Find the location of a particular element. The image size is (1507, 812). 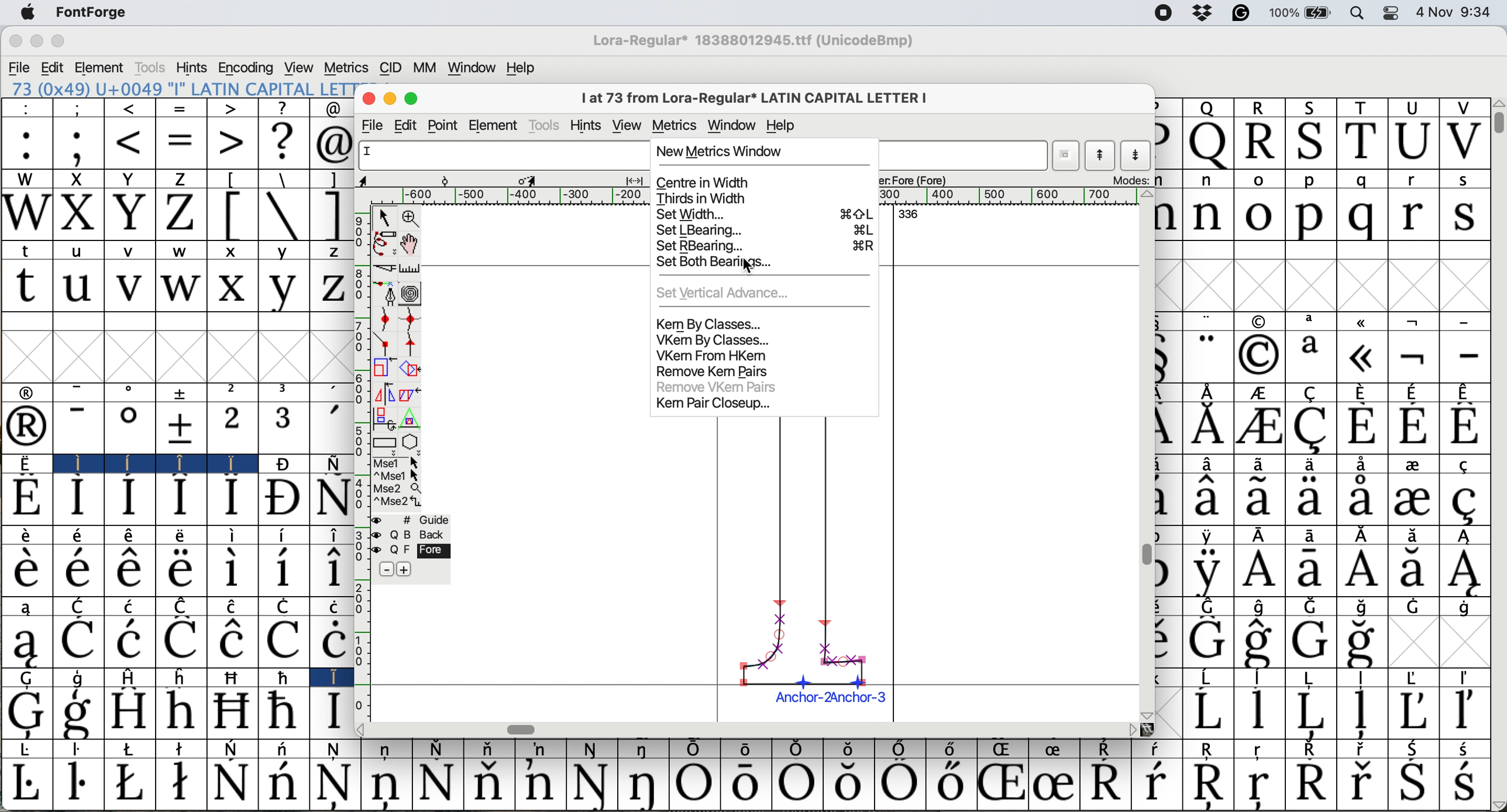

show next letter is located at coordinates (1138, 156).